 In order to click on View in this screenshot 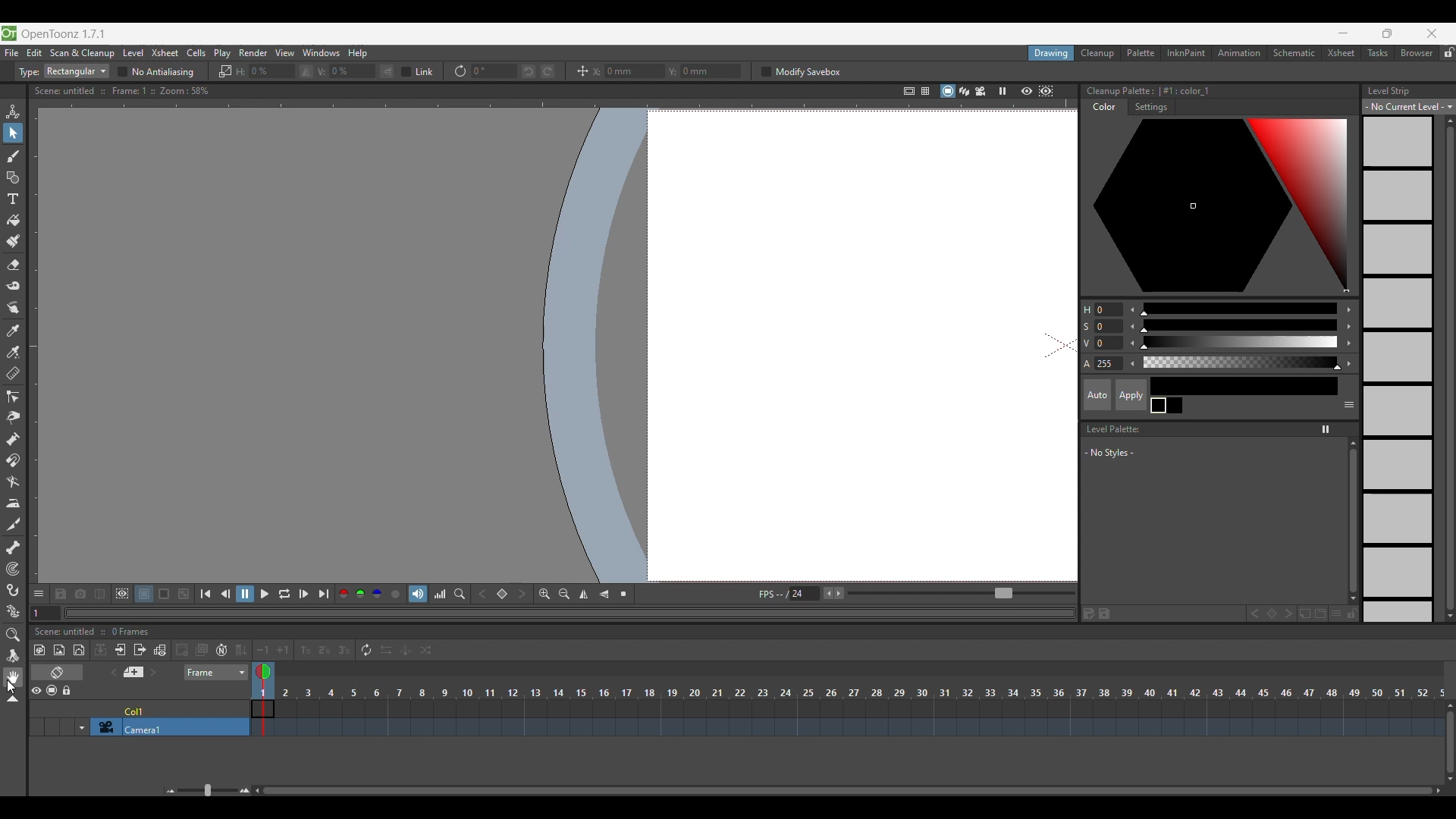, I will do `click(285, 53)`.